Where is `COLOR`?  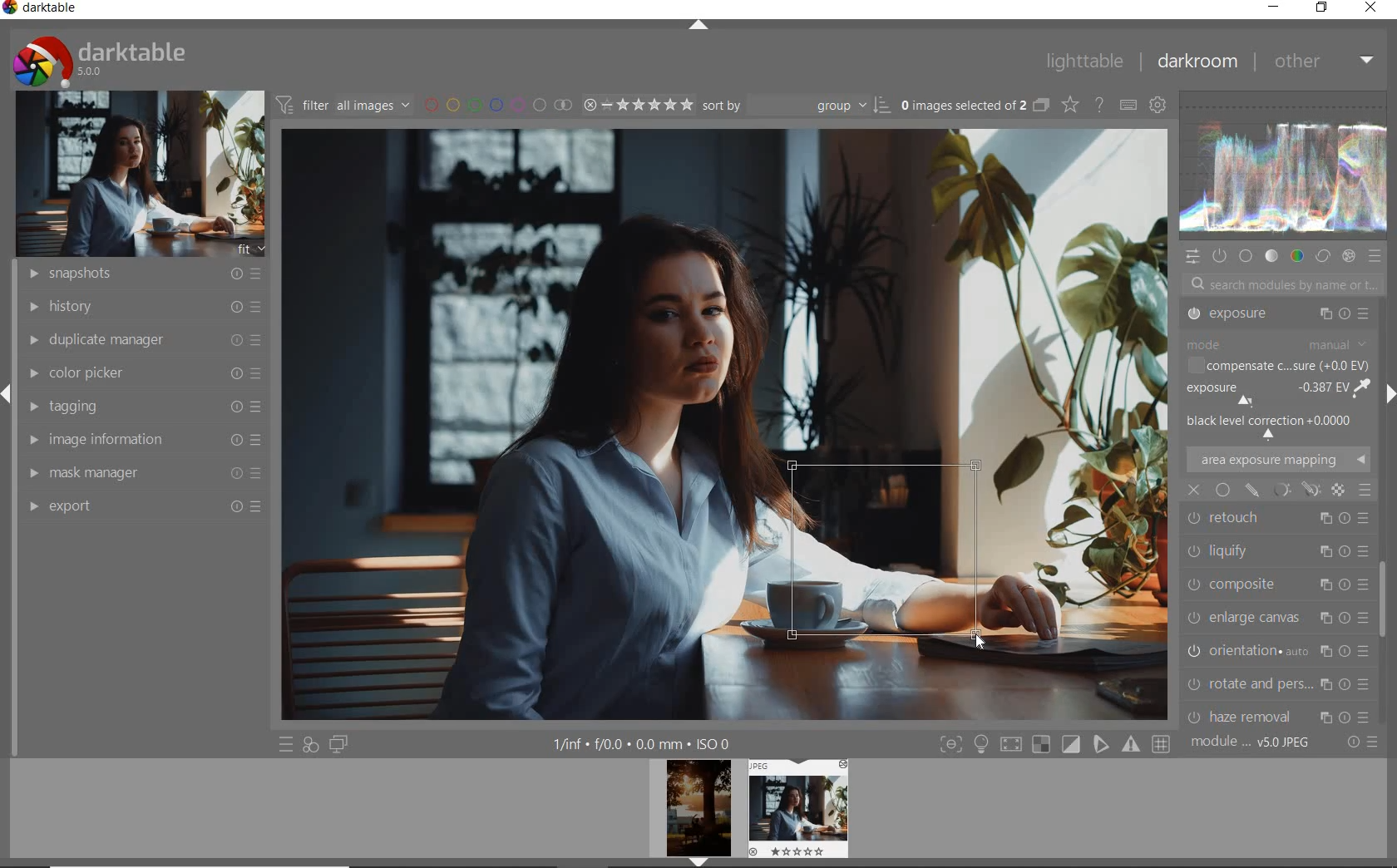 COLOR is located at coordinates (1296, 257).